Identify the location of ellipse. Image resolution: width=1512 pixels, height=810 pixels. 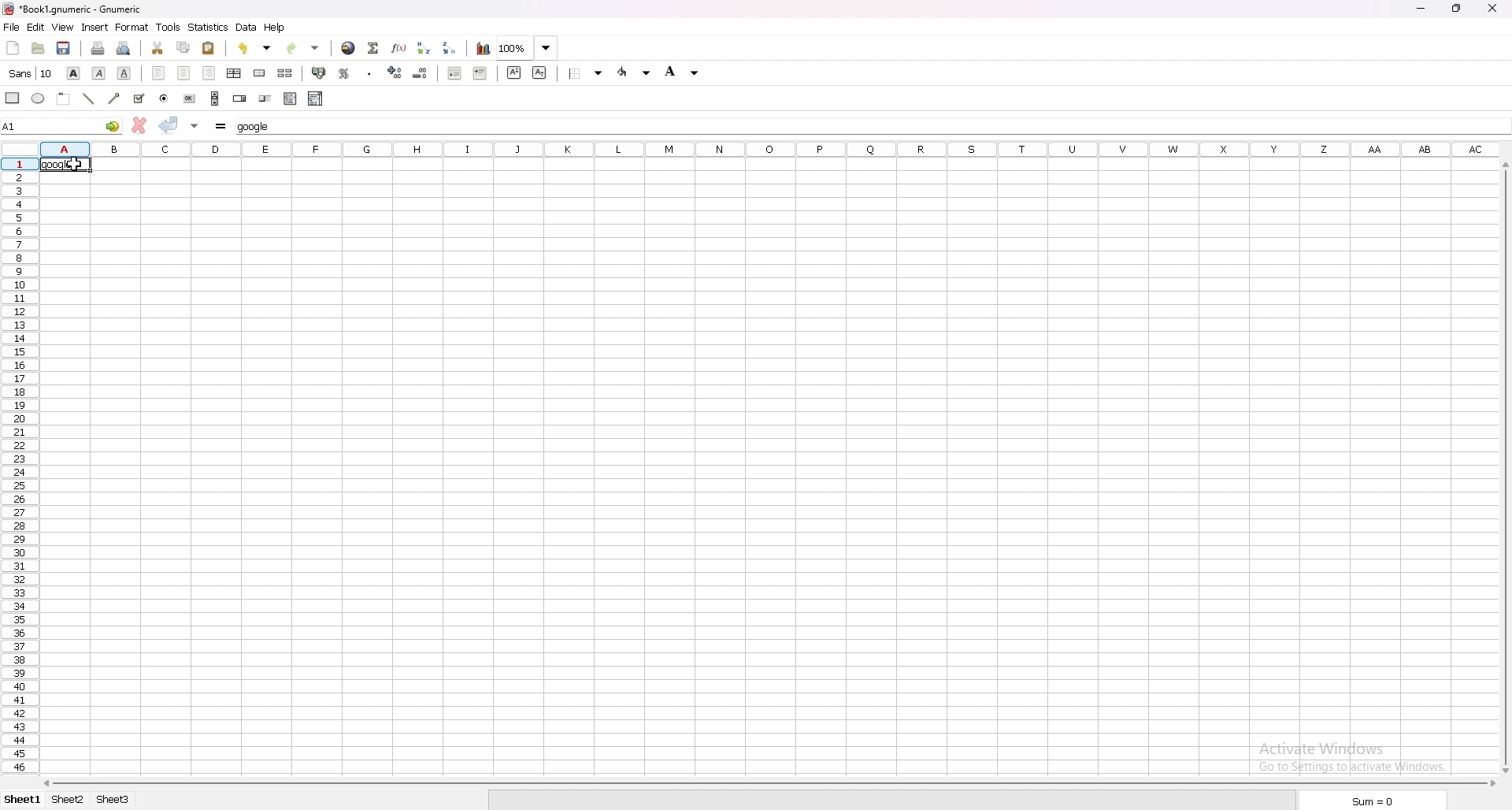
(39, 98).